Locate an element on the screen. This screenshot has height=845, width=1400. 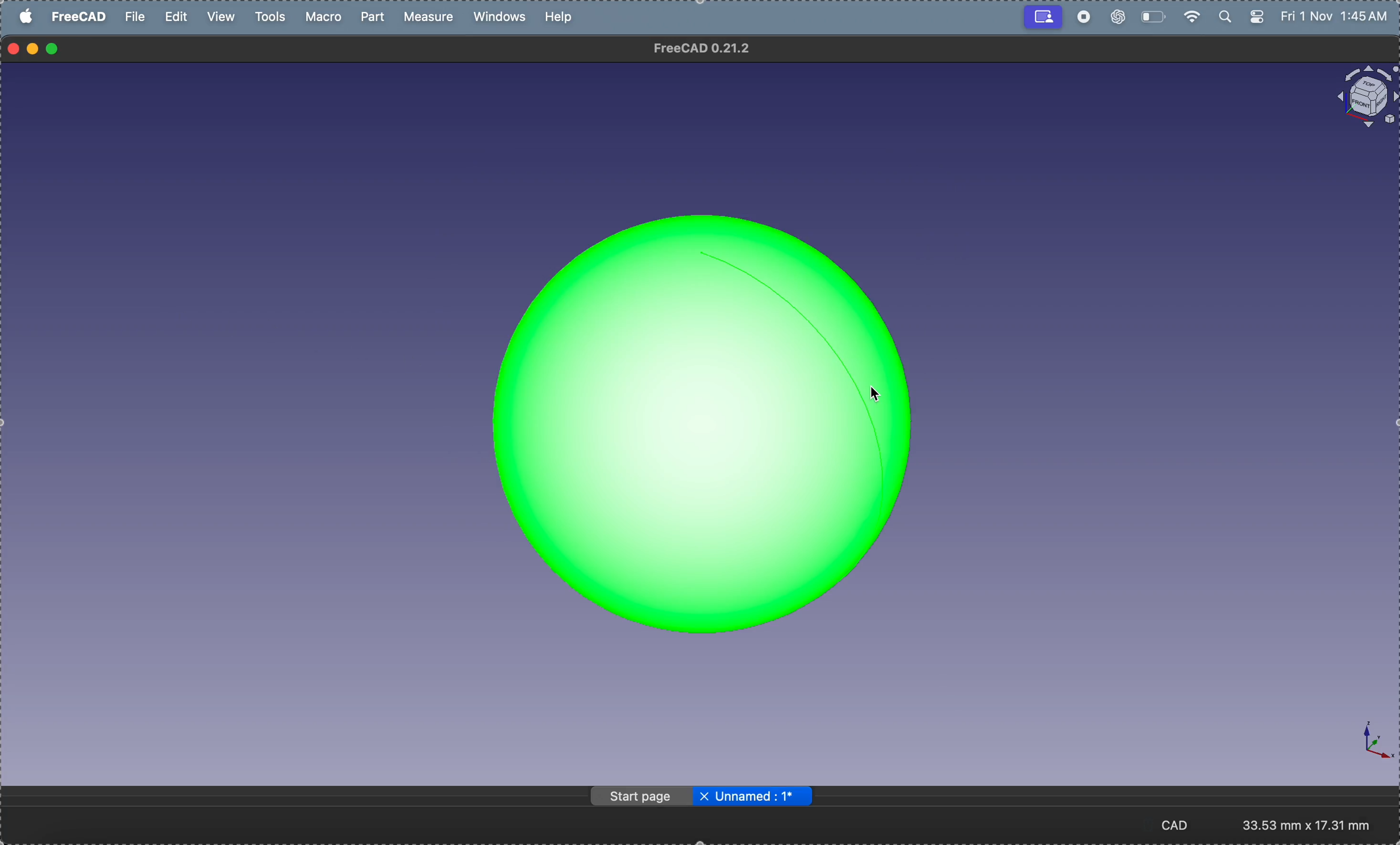
cursor is located at coordinates (876, 394).